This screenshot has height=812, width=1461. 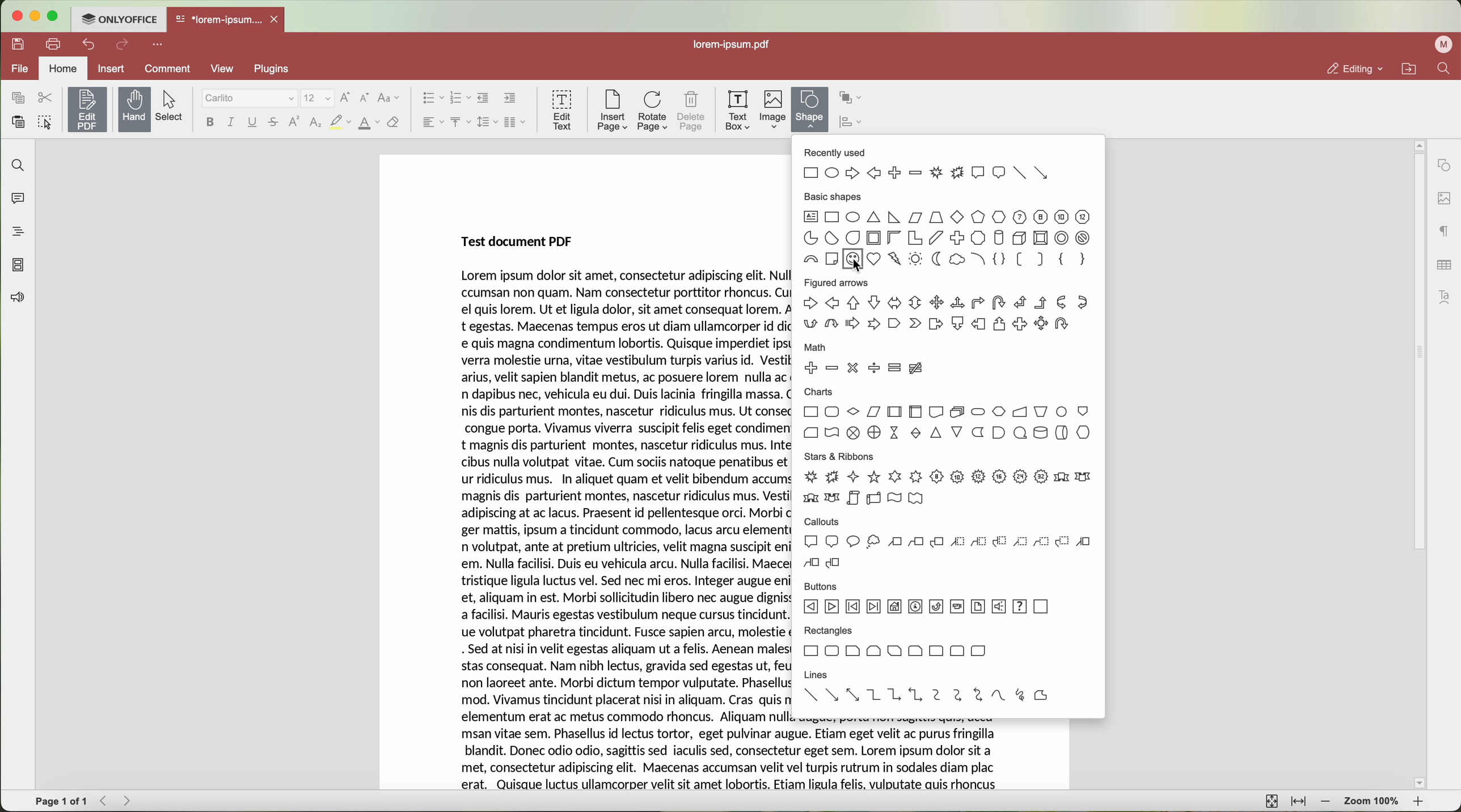 What do you see at coordinates (392, 122) in the screenshot?
I see `clear style` at bounding box center [392, 122].